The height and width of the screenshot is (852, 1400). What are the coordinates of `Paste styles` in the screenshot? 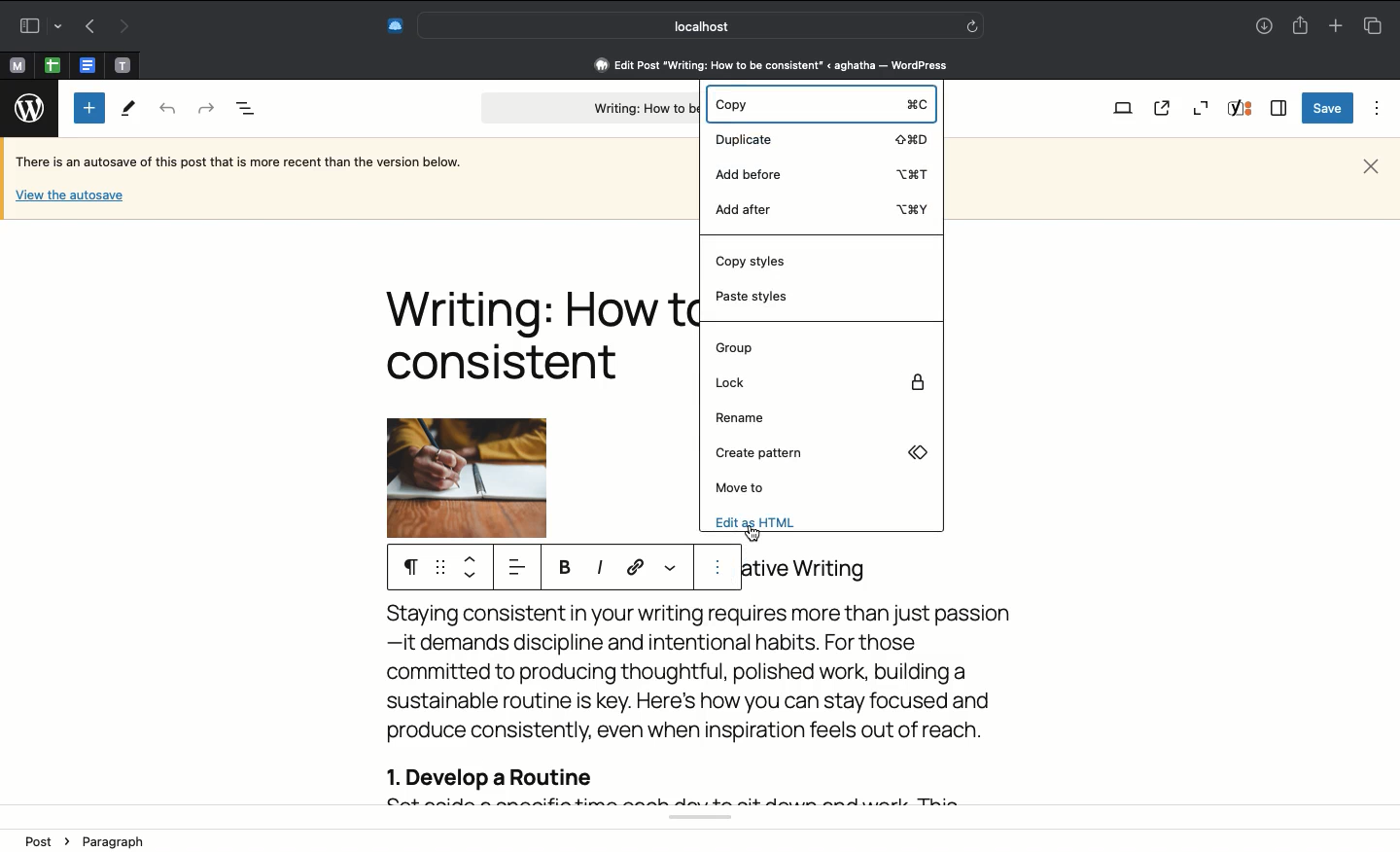 It's located at (758, 299).